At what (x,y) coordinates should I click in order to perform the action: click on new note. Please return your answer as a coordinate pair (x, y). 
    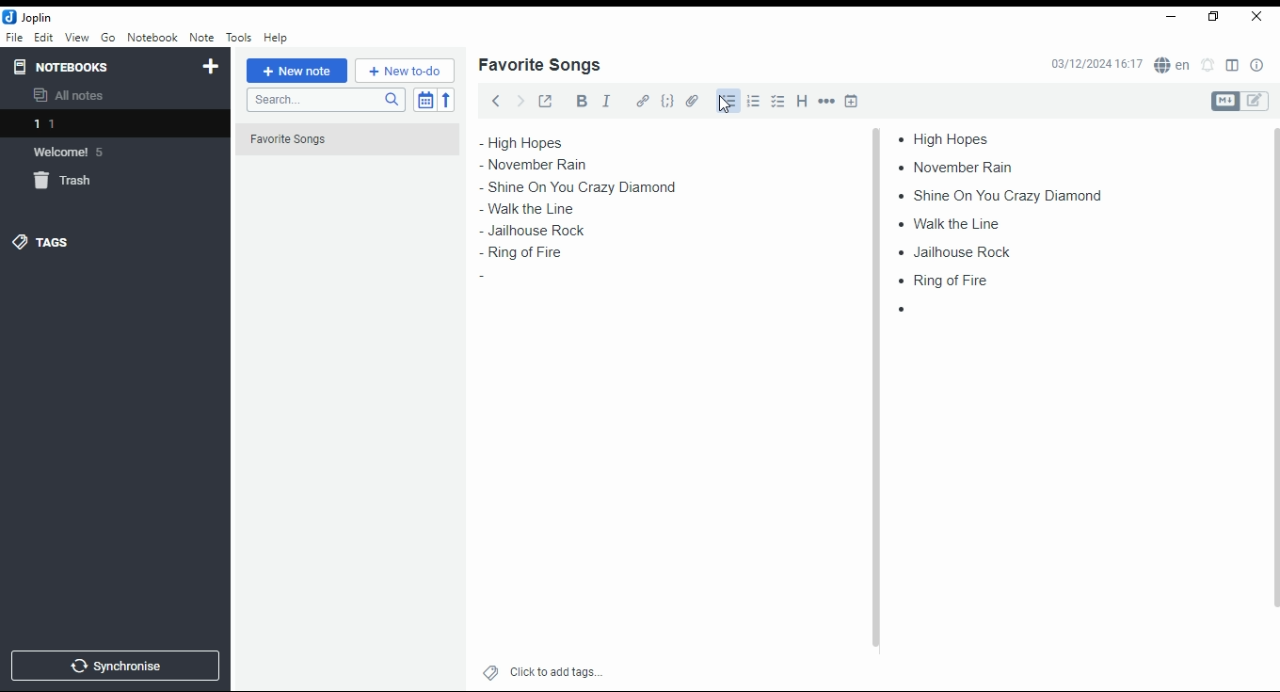
    Looking at the image, I should click on (297, 71).